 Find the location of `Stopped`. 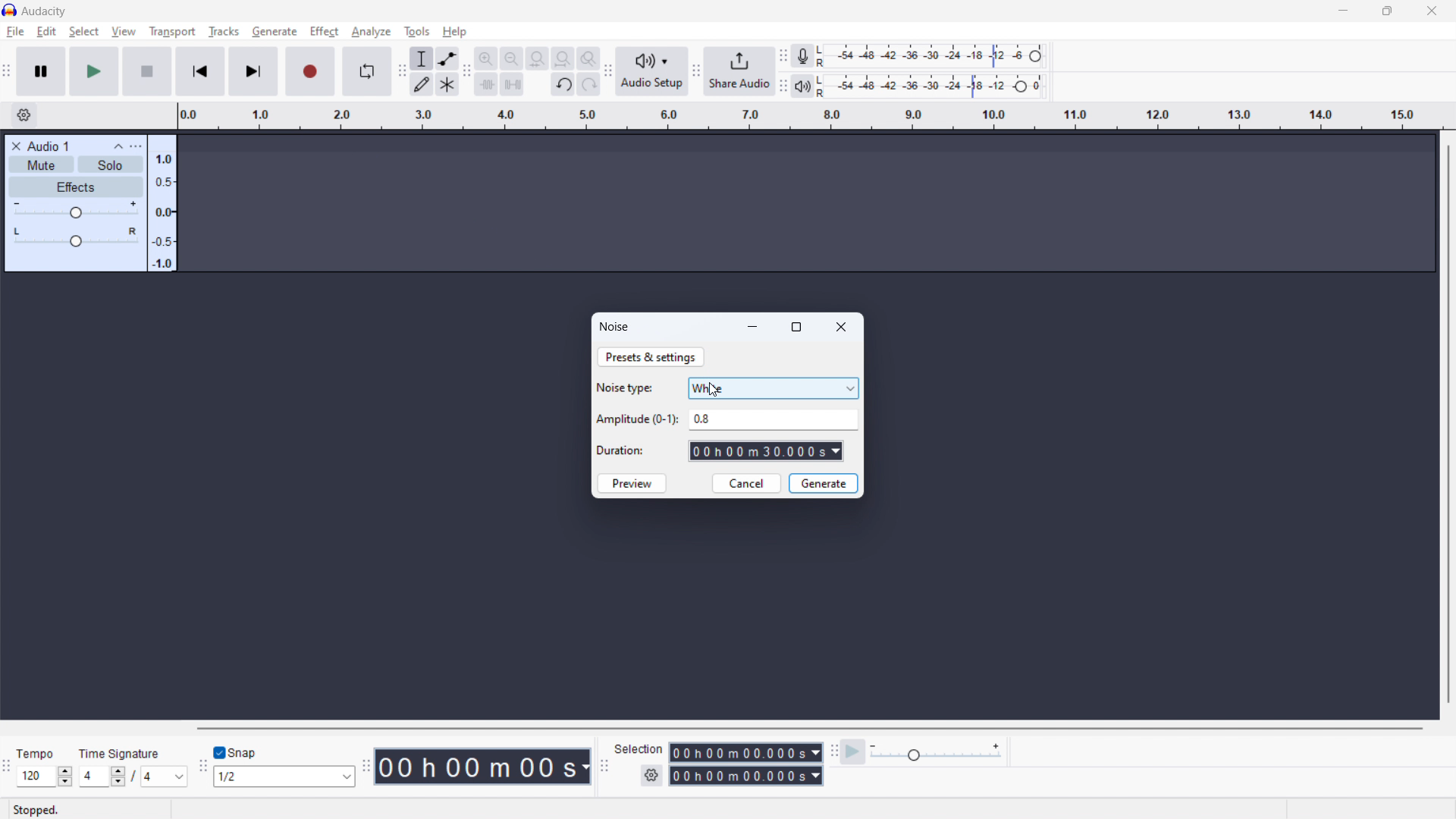

Stopped is located at coordinates (36, 809).